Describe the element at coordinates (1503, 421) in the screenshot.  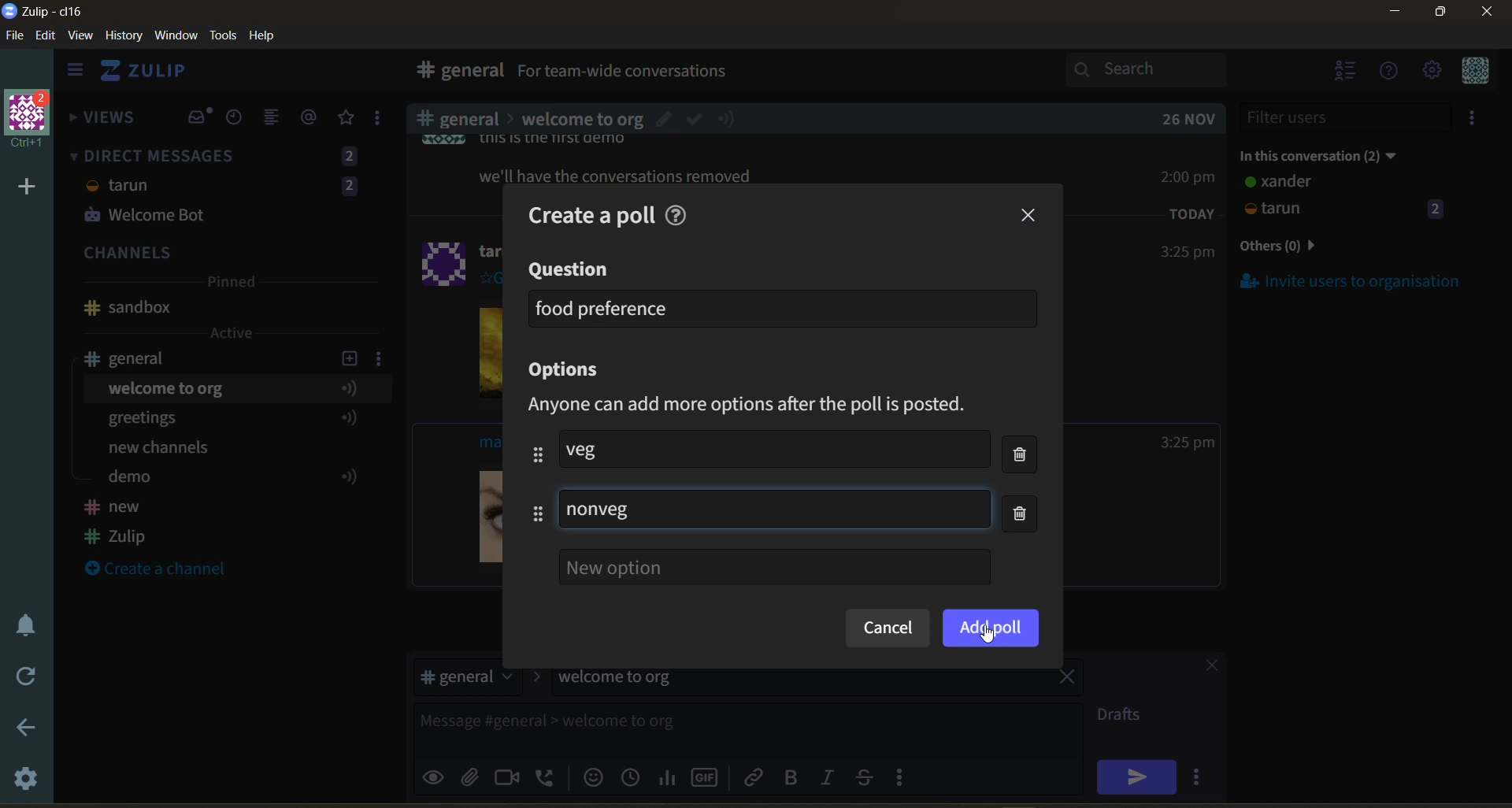
I see `Scroll bar` at that location.